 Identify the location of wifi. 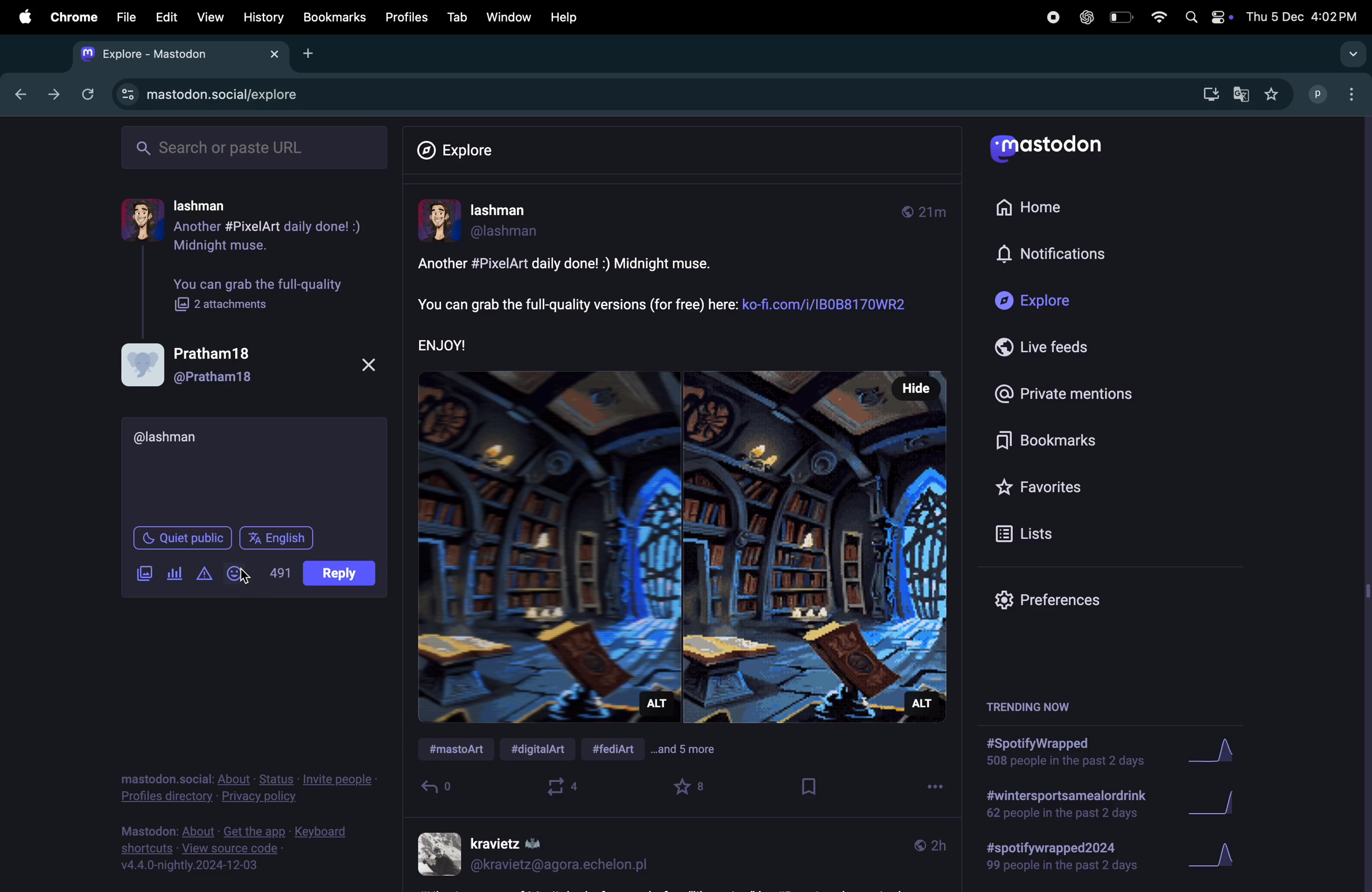
(1155, 16).